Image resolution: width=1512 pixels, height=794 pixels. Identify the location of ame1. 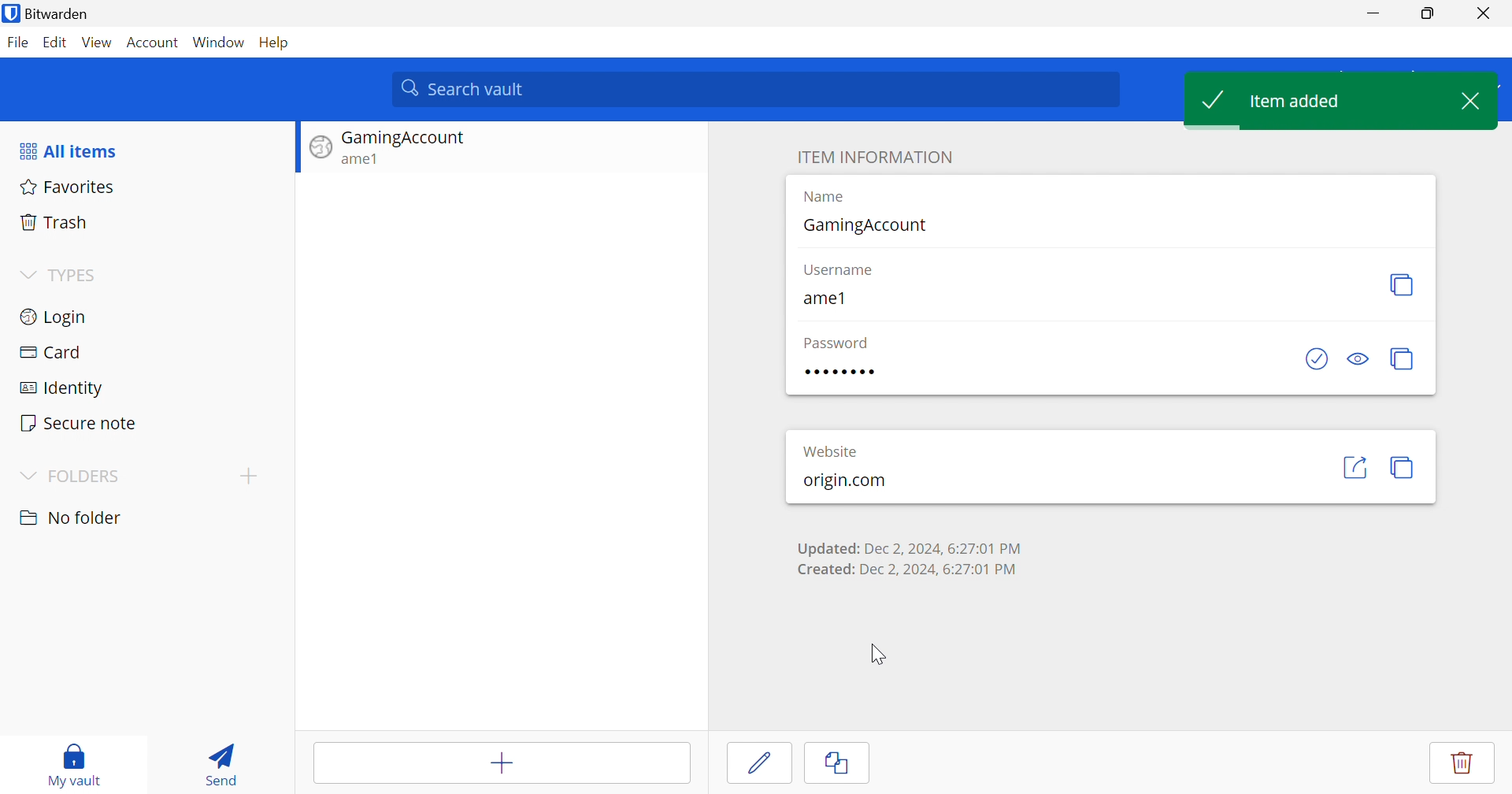
(820, 299).